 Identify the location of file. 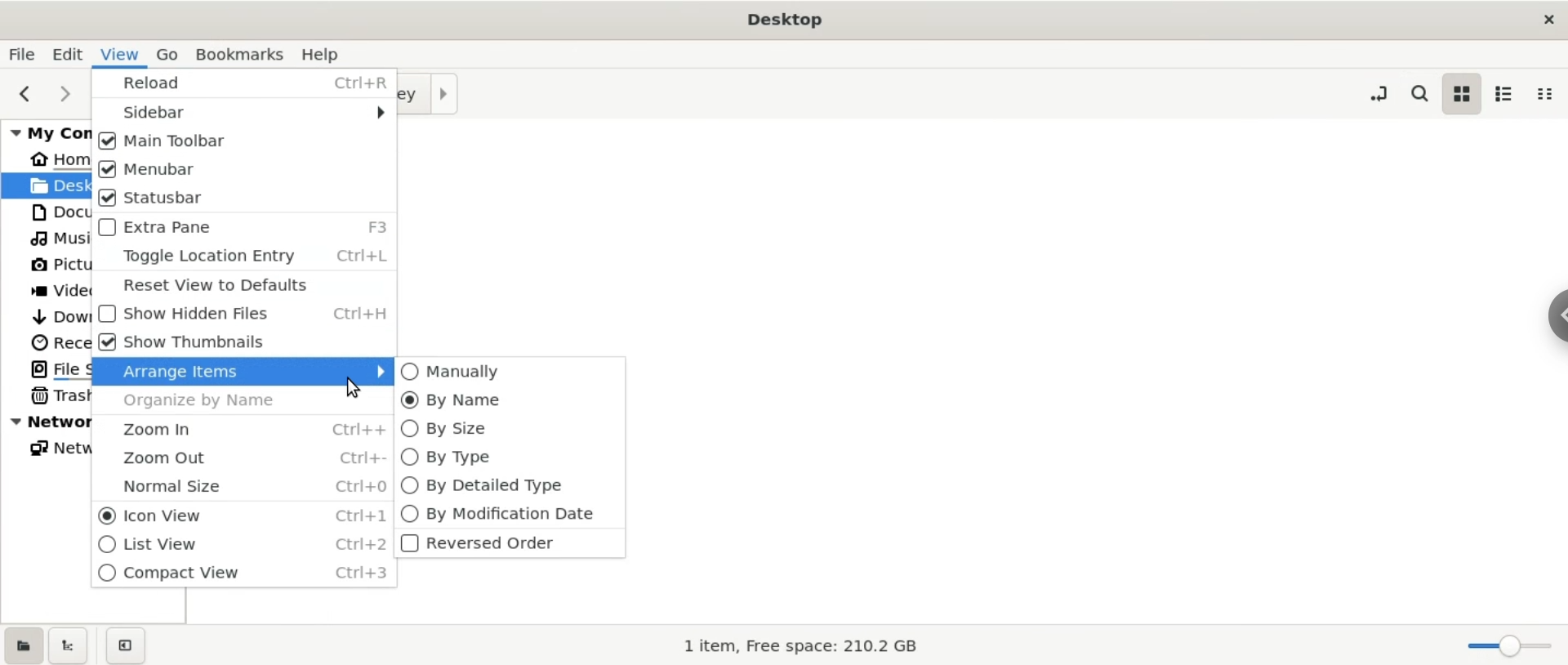
(25, 55).